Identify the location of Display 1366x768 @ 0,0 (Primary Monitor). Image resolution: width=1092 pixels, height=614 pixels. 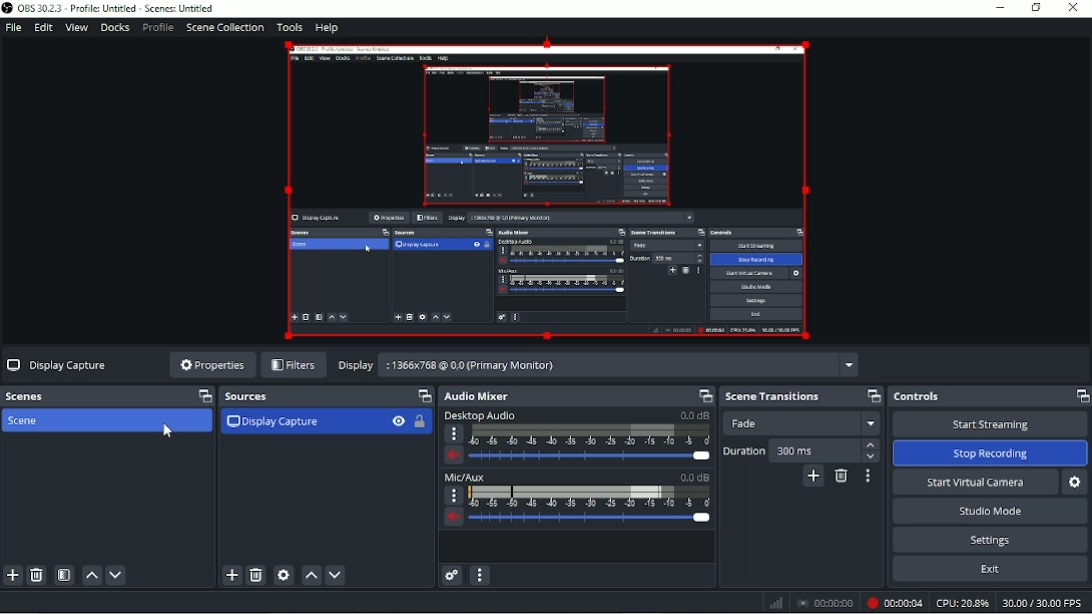
(596, 364).